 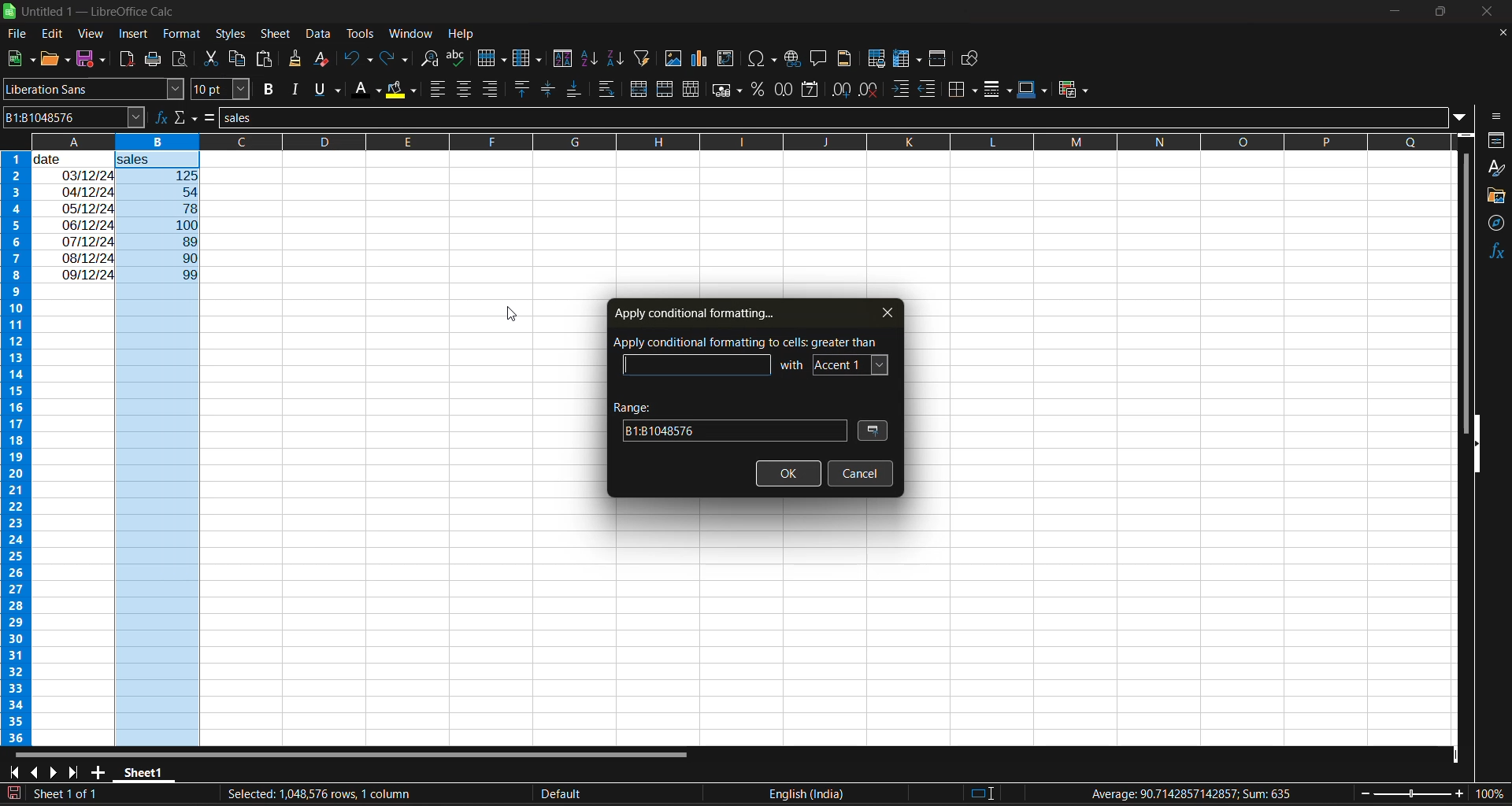 I want to click on insert chart, so click(x=704, y=60).